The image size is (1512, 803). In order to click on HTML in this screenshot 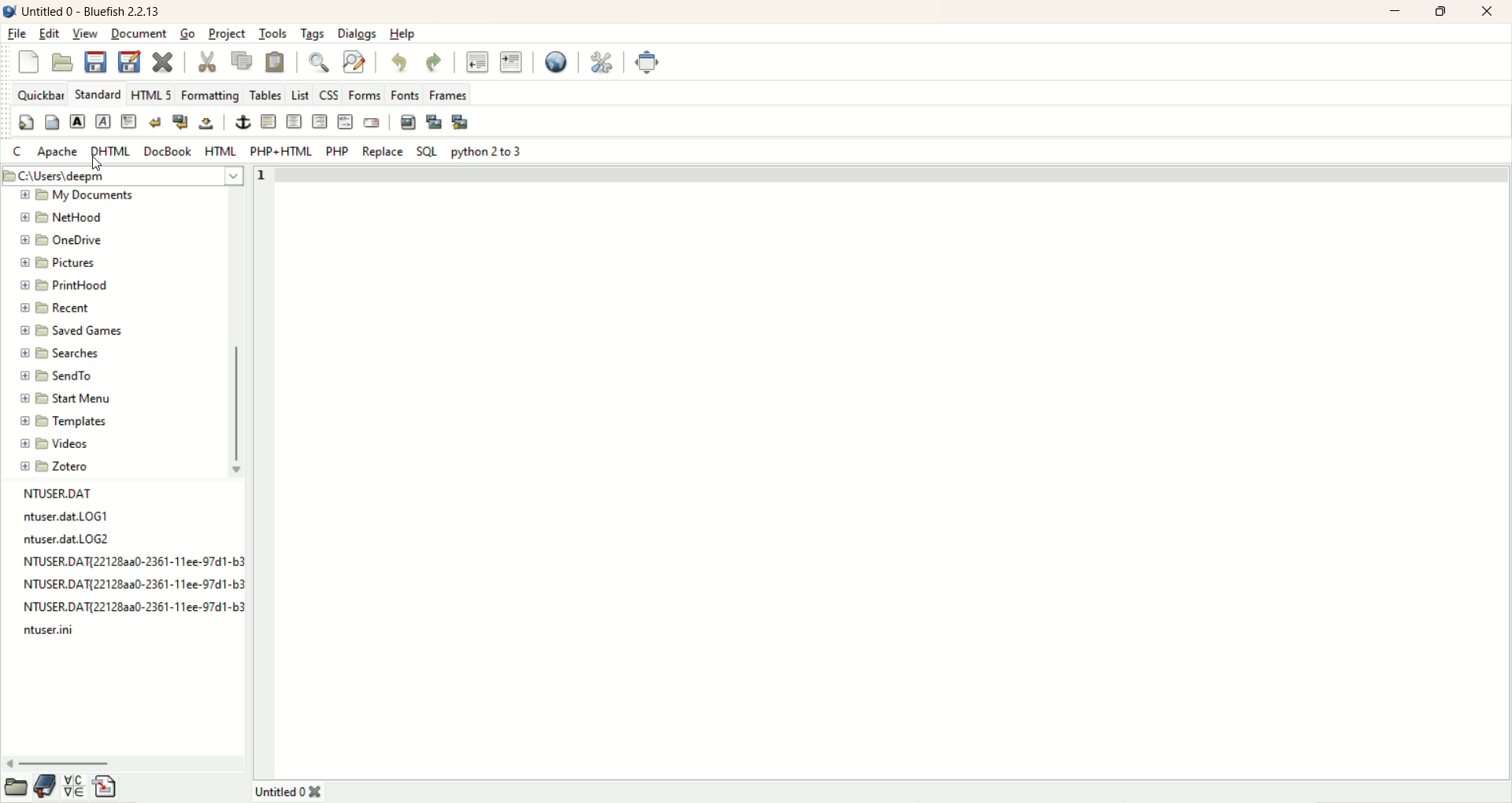, I will do `click(224, 150)`.